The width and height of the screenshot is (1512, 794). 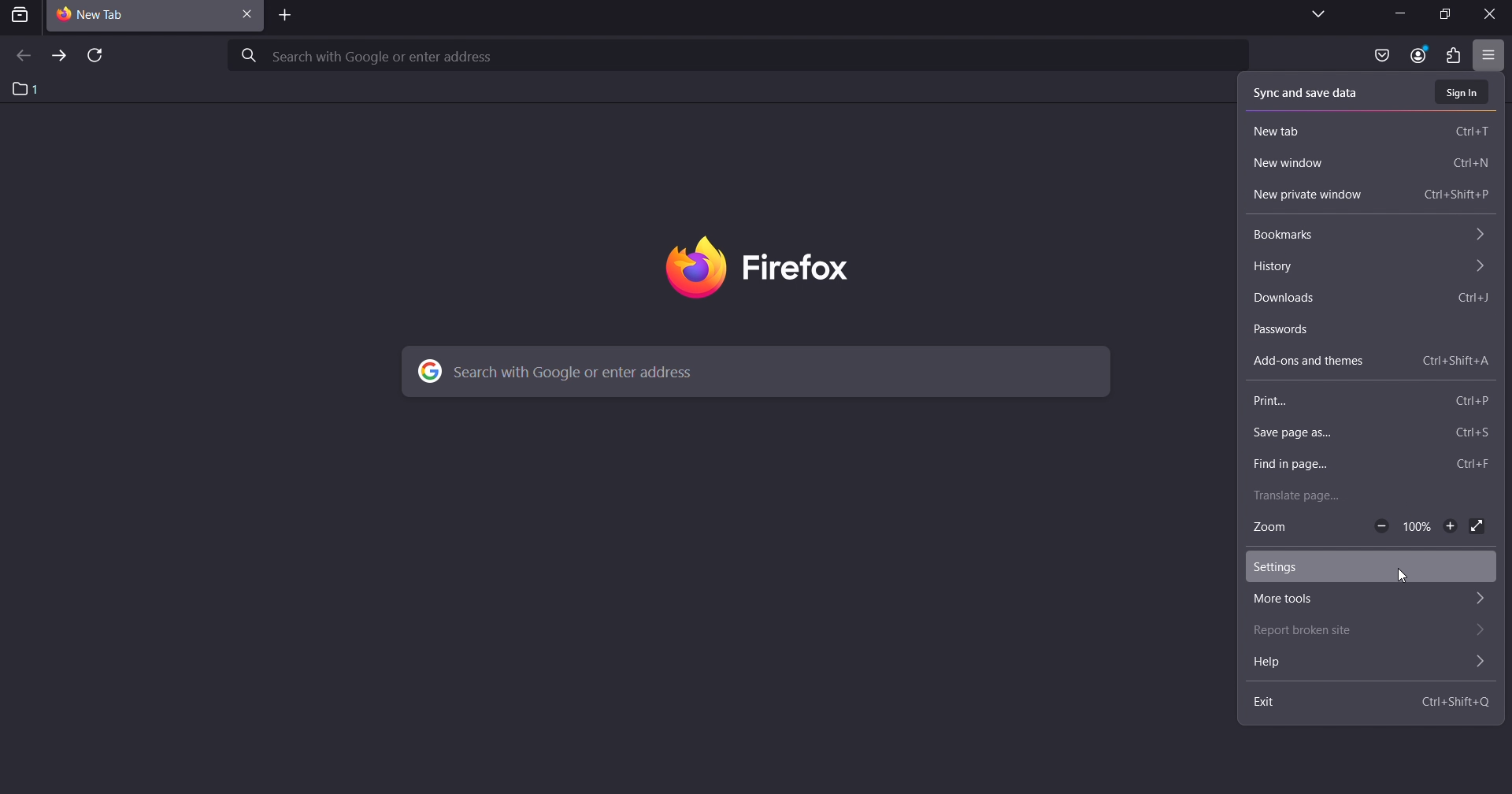 What do you see at coordinates (1362, 598) in the screenshot?
I see `more tools` at bounding box center [1362, 598].